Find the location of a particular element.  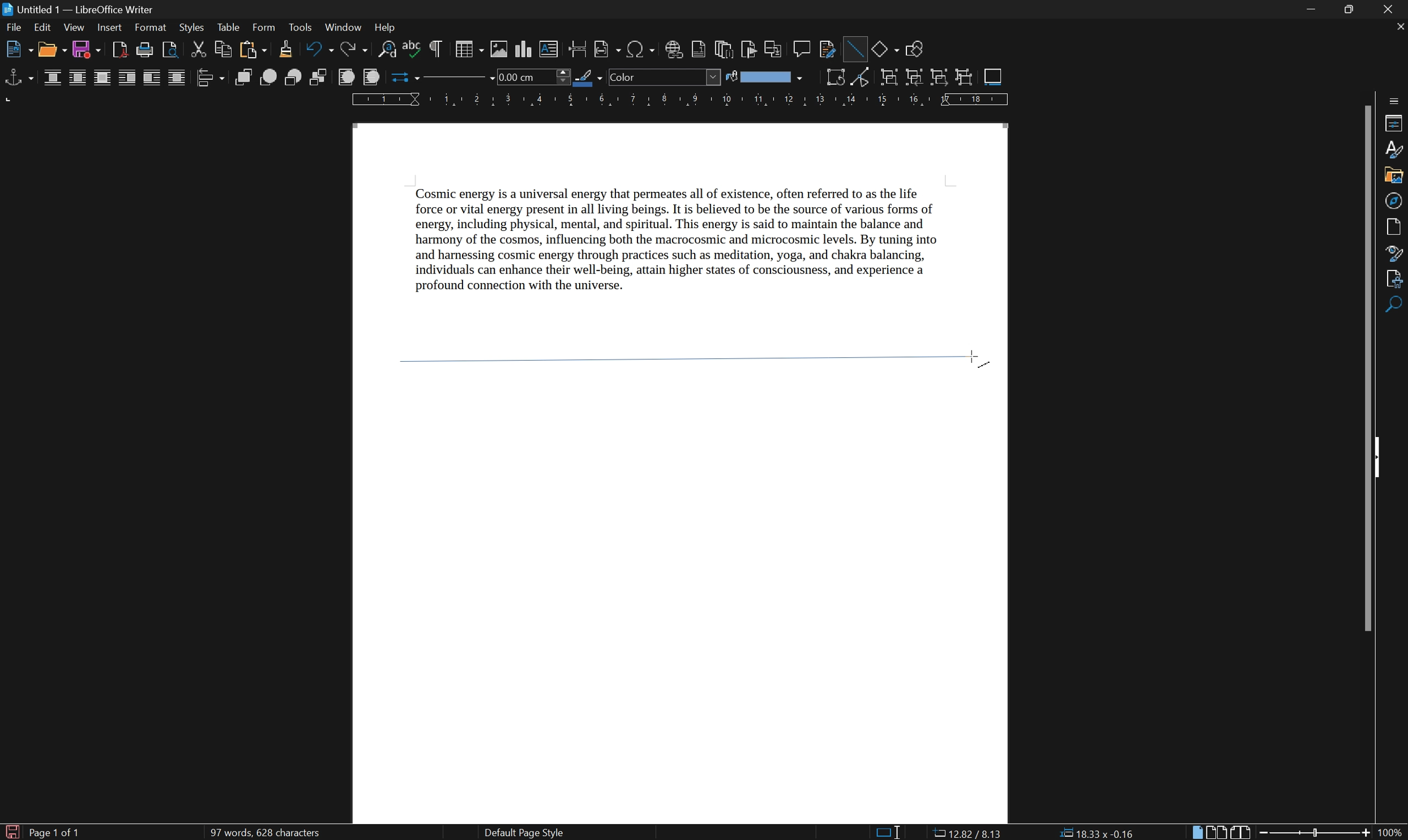

insert hyperlink is located at coordinates (674, 49).